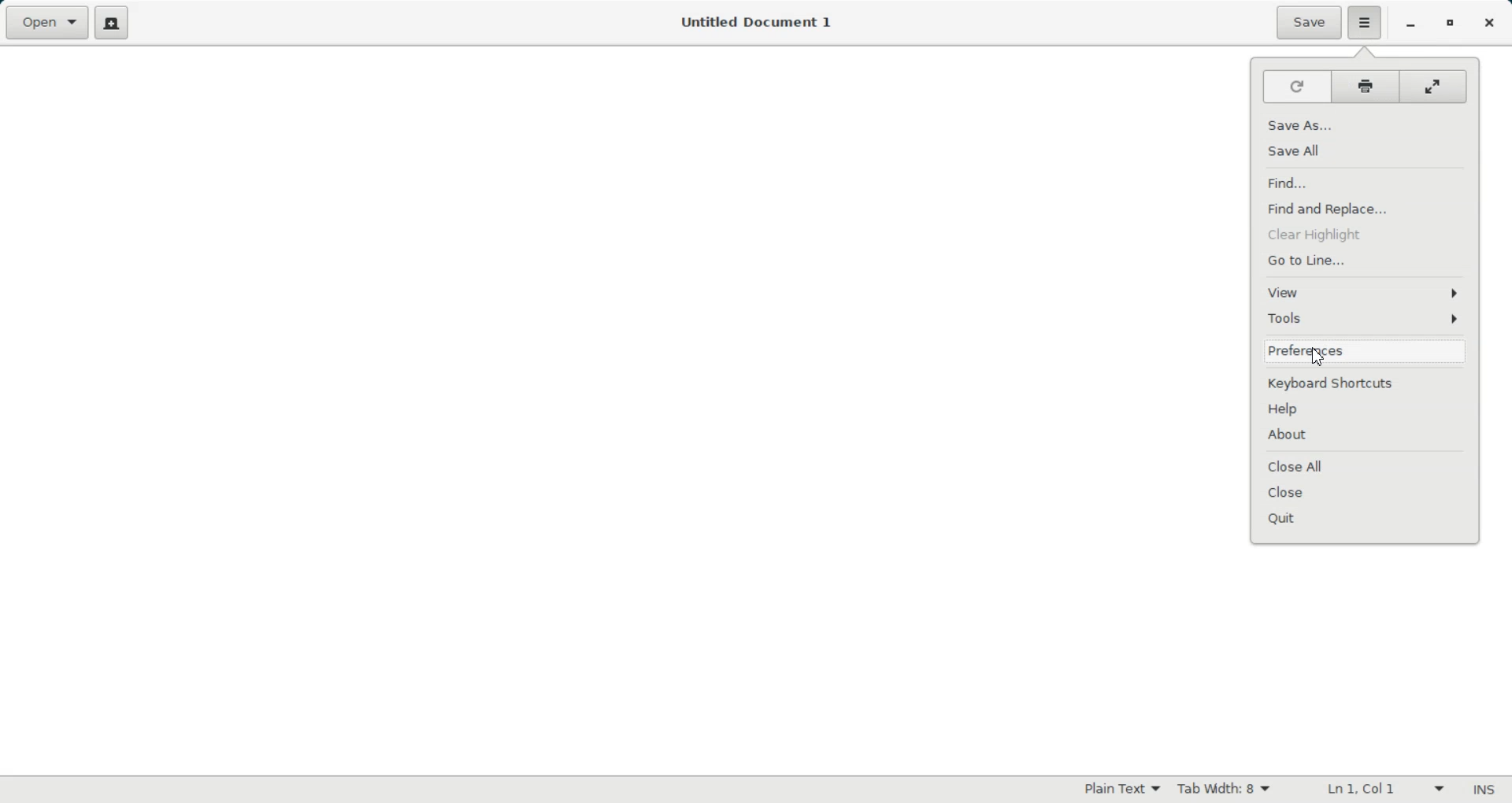 The width and height of the screenshot is (1512, 803). What do you see at coordinates (1367, 233) in the screenshot?
I see `Clear Highlight` at bounding box center [1367, 233].